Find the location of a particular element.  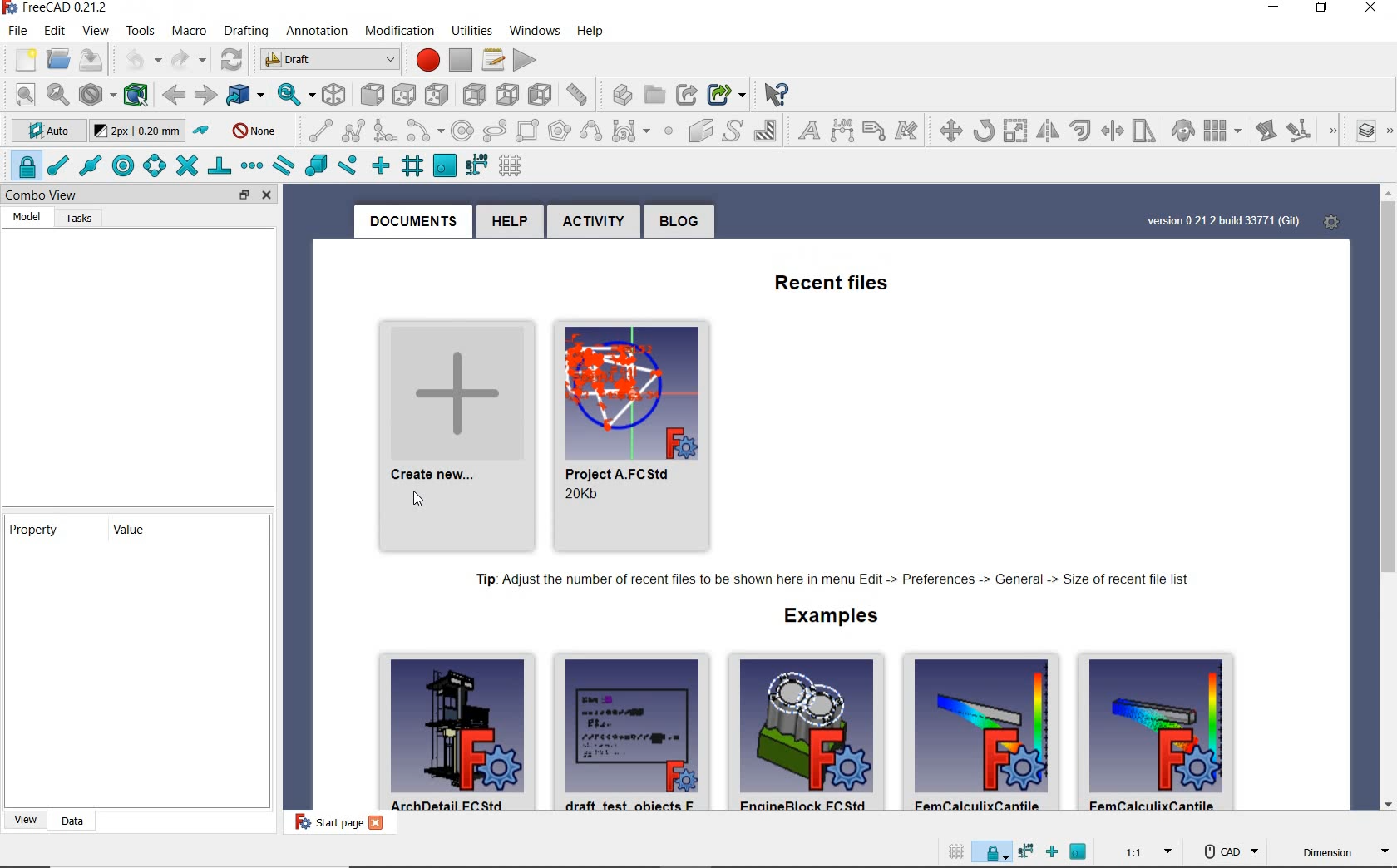

measure distance is located at coordinates (542, 94).